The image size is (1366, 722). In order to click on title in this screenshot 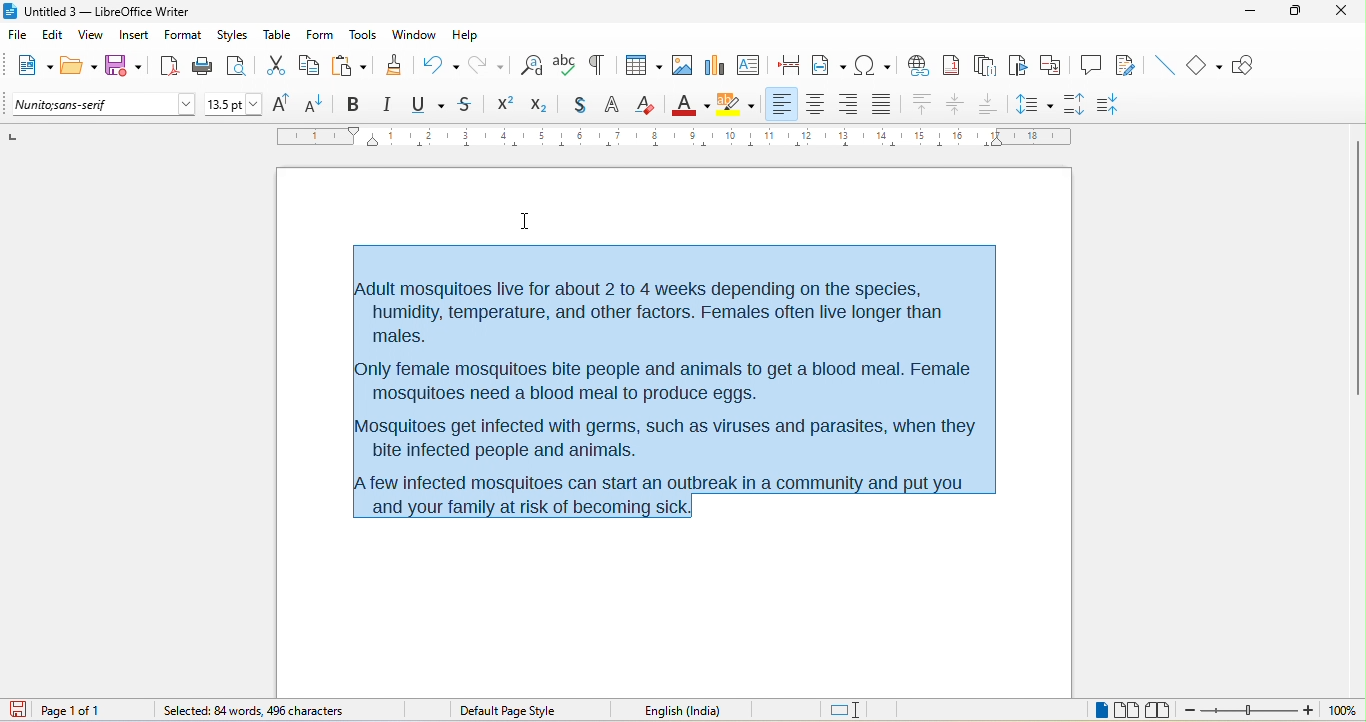, I will do `click(97, 12)`.